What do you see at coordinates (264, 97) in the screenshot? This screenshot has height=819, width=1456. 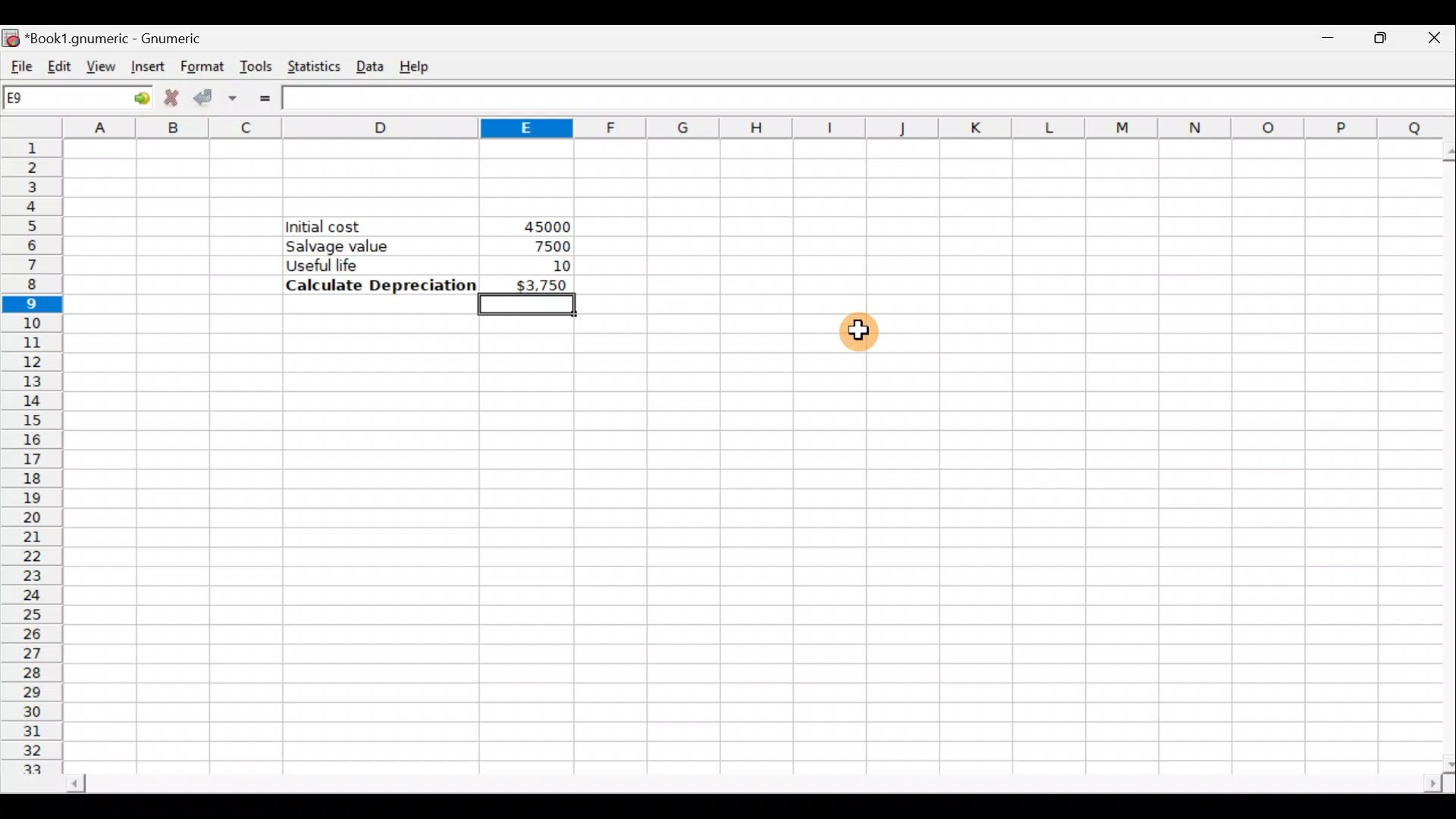 I see `Enter formula` at bounding box center [264, 97].